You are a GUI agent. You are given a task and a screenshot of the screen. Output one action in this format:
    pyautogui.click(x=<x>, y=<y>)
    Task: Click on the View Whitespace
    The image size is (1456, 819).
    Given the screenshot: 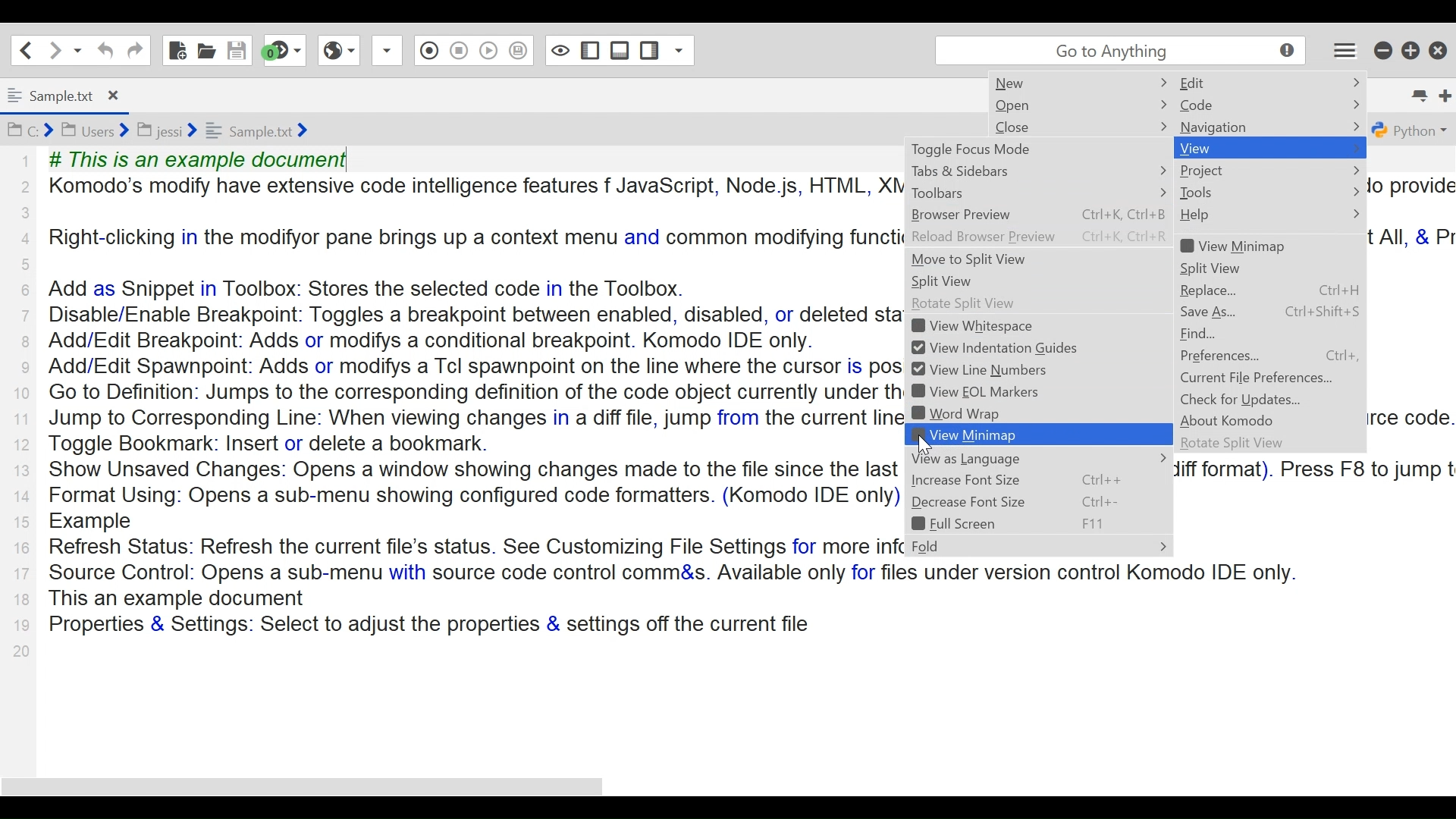 What is the action you would take?
    pyautogui.click(x=994, y=326)
    